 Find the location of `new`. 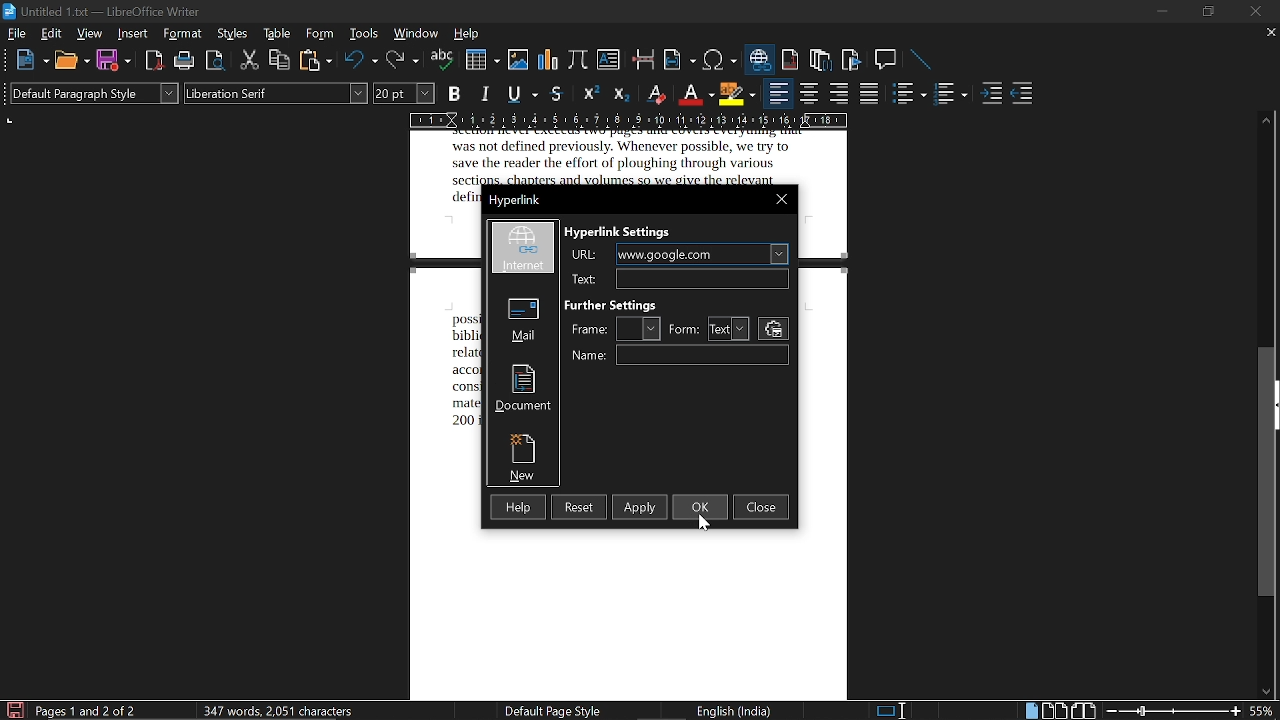

new is located at coordinates (522, 457).